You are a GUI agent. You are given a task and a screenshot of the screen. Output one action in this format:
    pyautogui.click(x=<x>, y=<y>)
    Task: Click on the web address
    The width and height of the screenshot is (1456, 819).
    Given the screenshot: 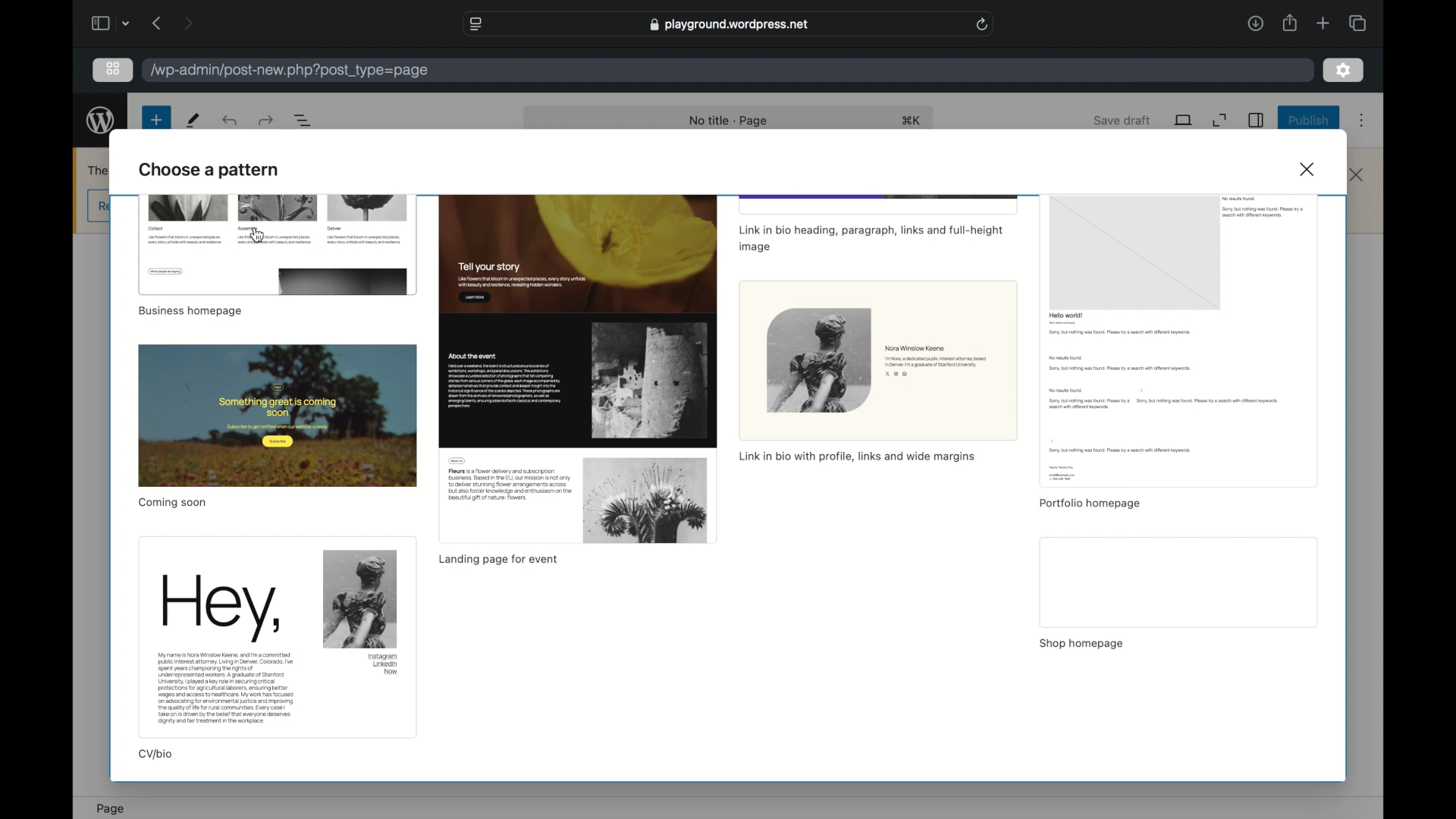 What is the action you would take?
    pyautogui.click(x=731, y=24)
    